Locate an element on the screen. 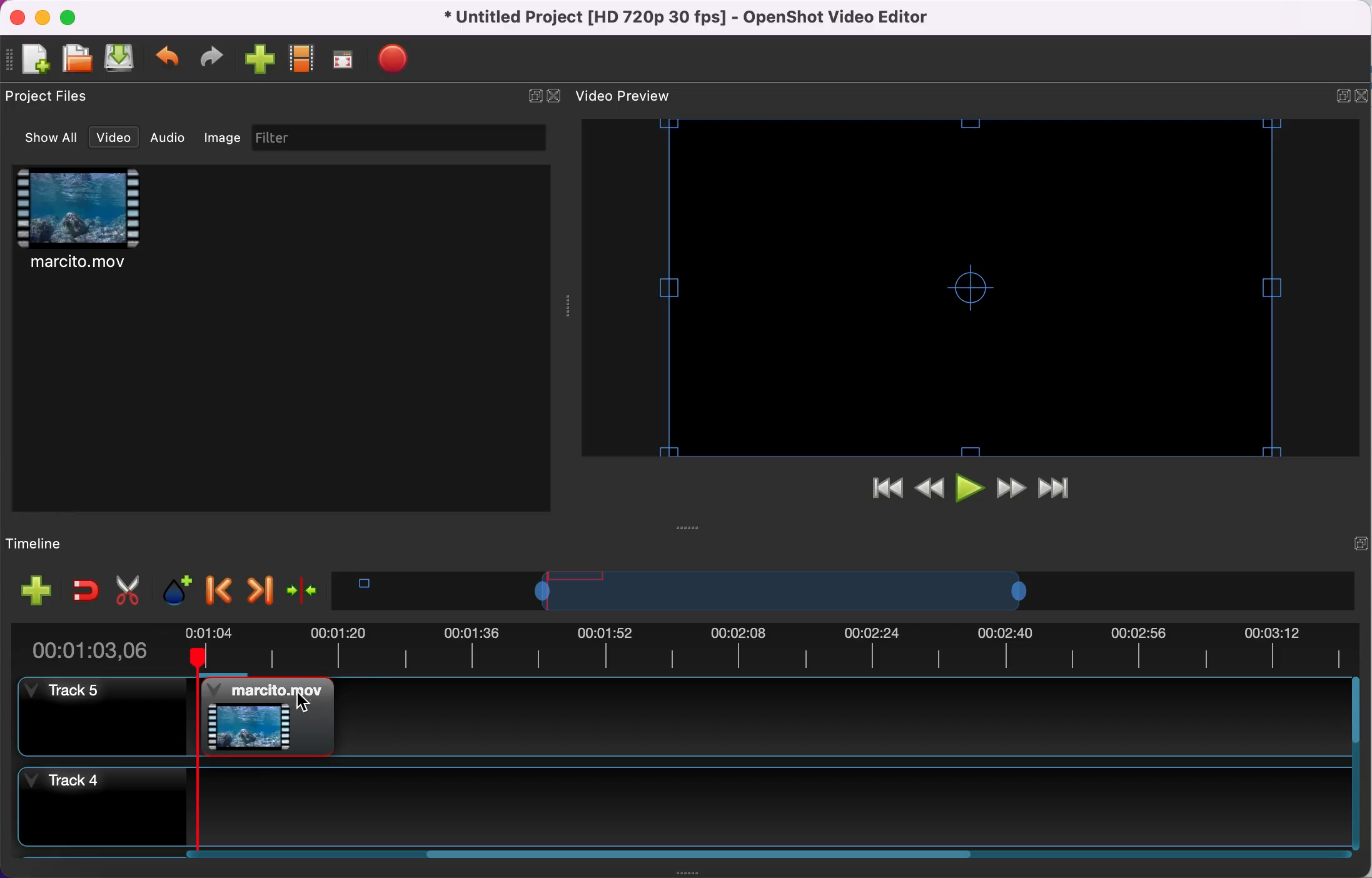  duration is located at coordinates (683, 650).